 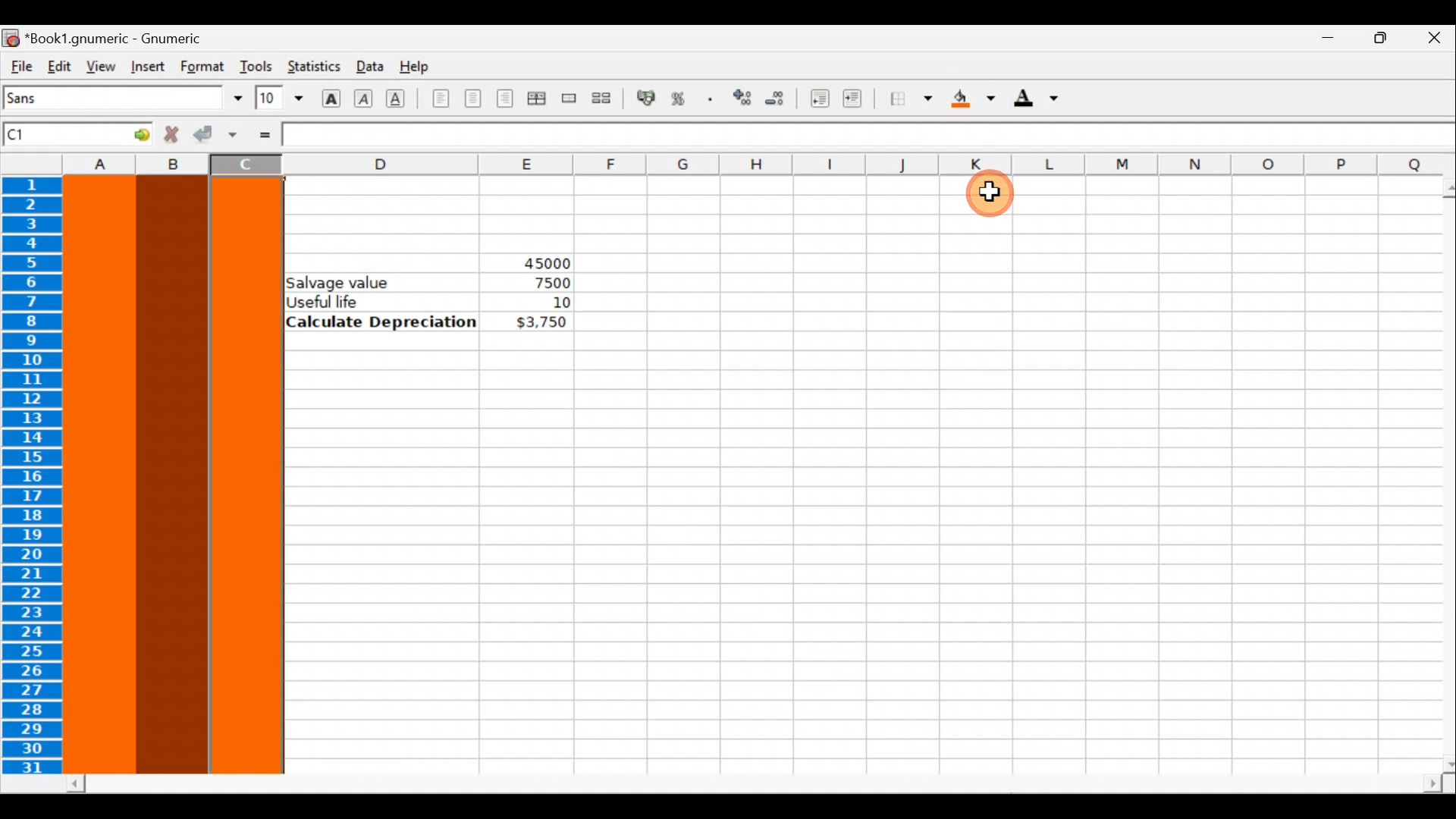 I want to click on Selected Column B highlighted with color, so click(x=172, y=472).